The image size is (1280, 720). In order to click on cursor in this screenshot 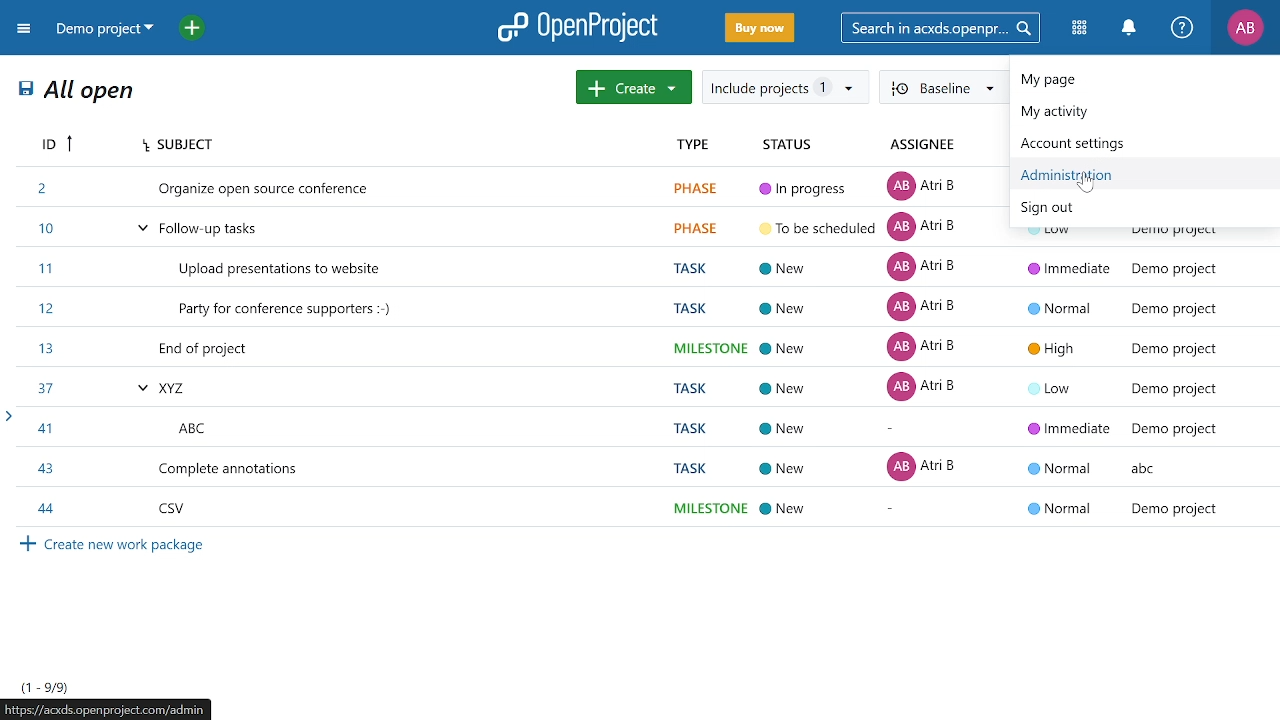, I will do `click(1087, 185)`.